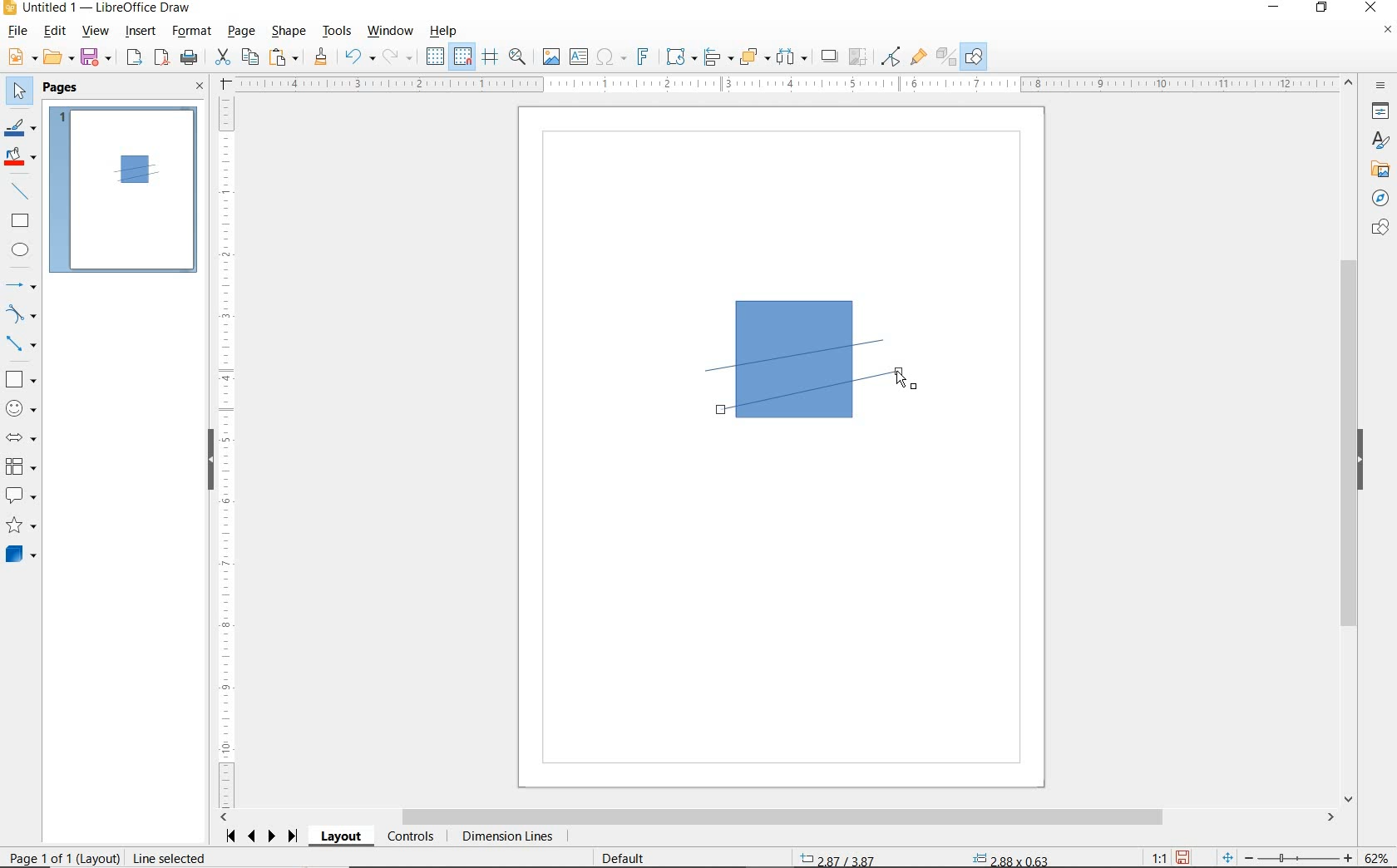  I want to click on INSERT LINE, so click(22, 191).